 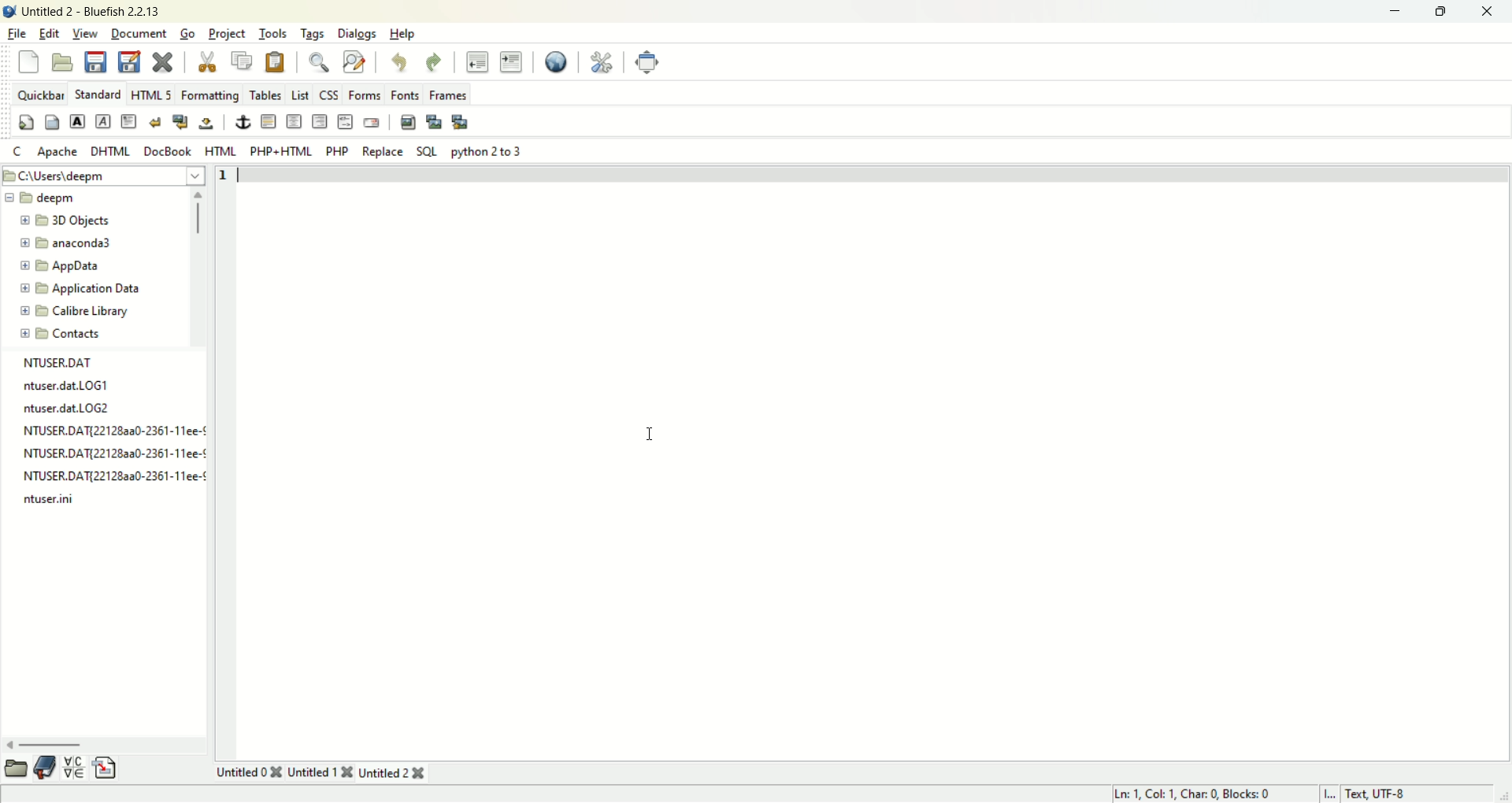 What do you see at coordinates (61, 265) in the screenshot?
I see `app` at bounding box center [61, 265].